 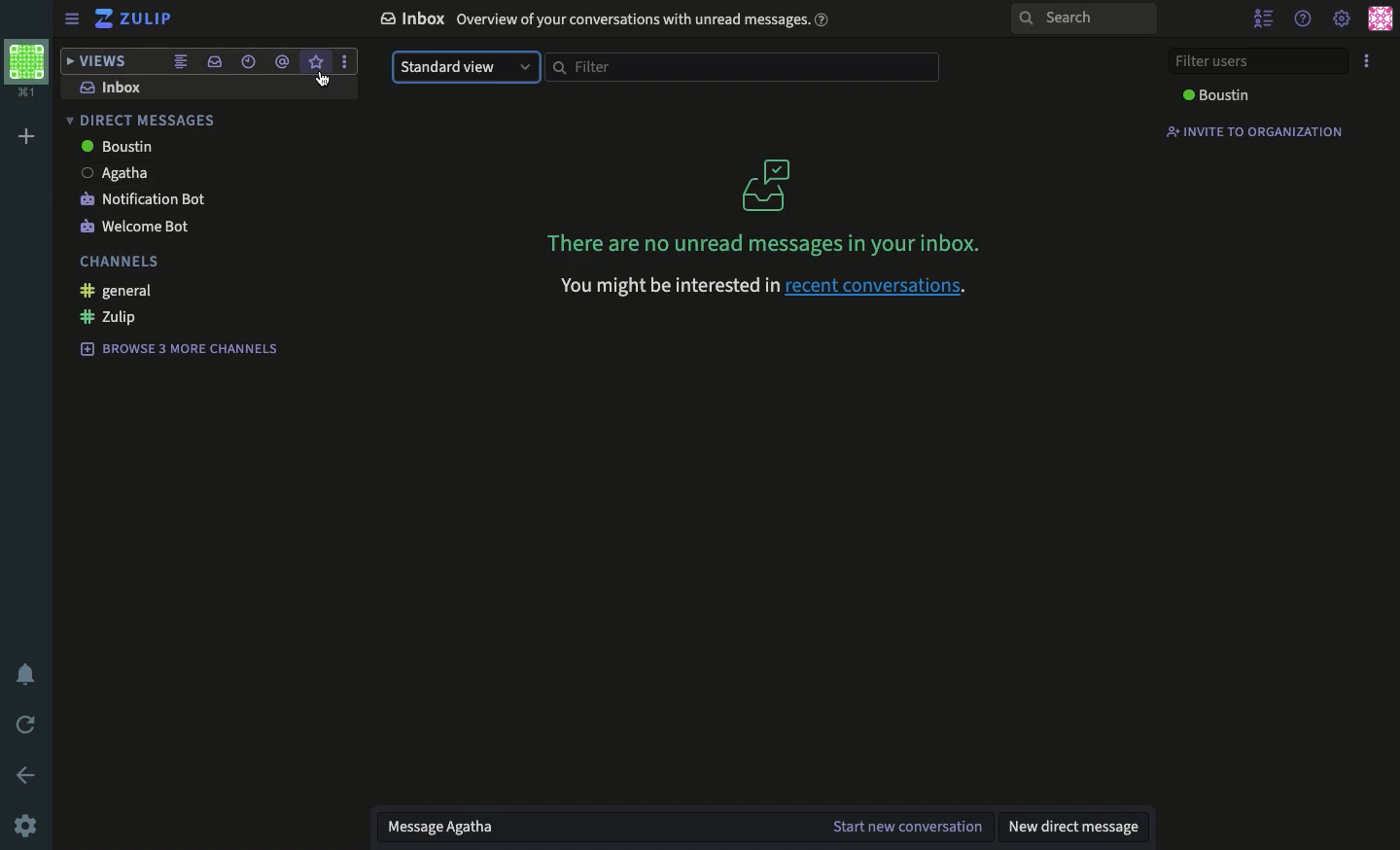 What do you see at coordinates (70, 19) in the screenshot?
I see `sidebar` at bounding box center [70, 19].